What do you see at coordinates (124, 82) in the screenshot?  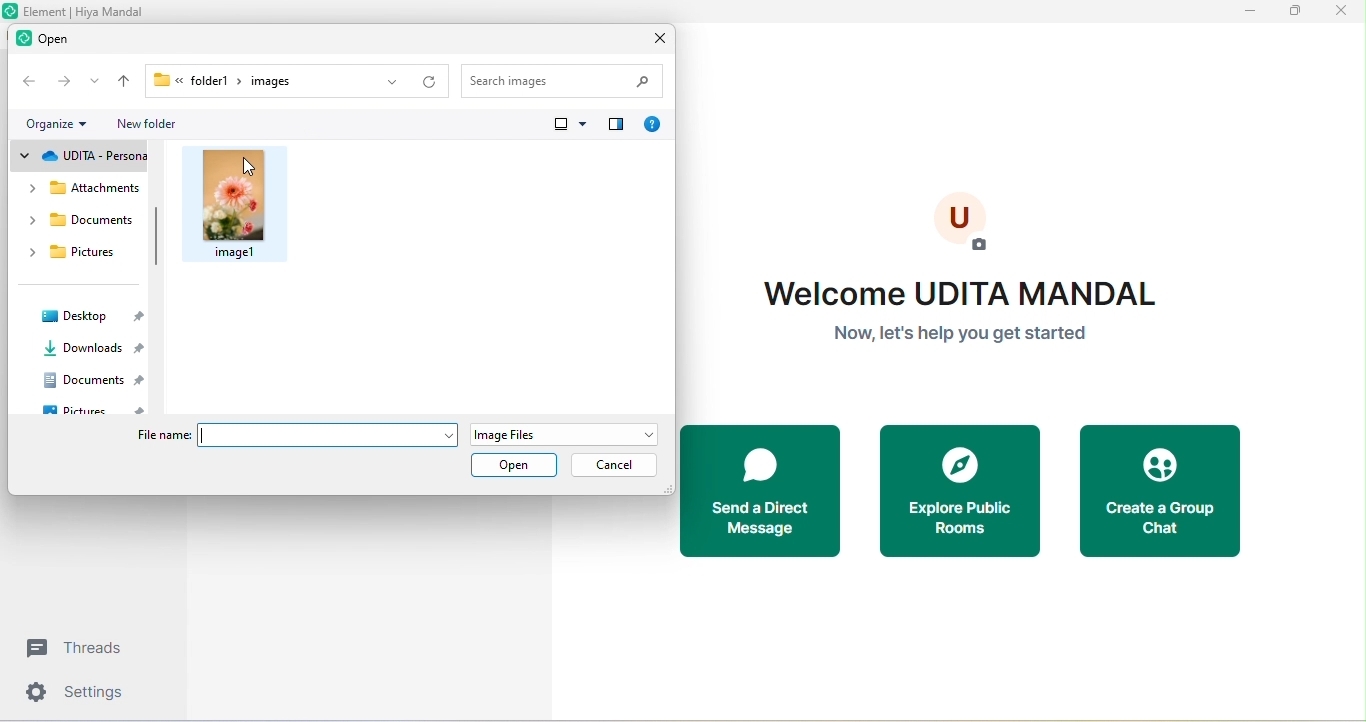 I see `up to desktop` at bounding box center [124, 82].